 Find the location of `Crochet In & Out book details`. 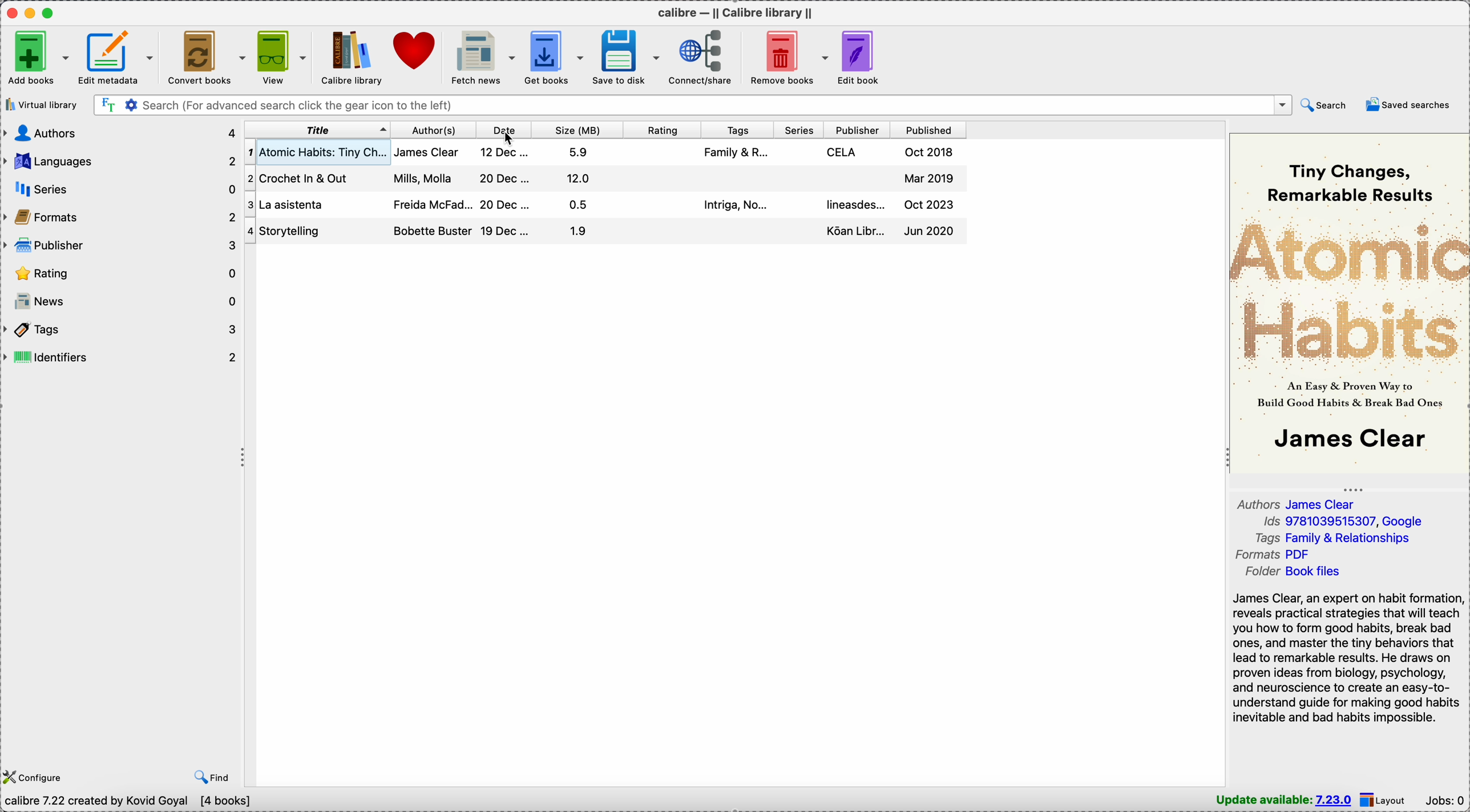

Crochet In & Out book details is located at coordinates (604, 178).